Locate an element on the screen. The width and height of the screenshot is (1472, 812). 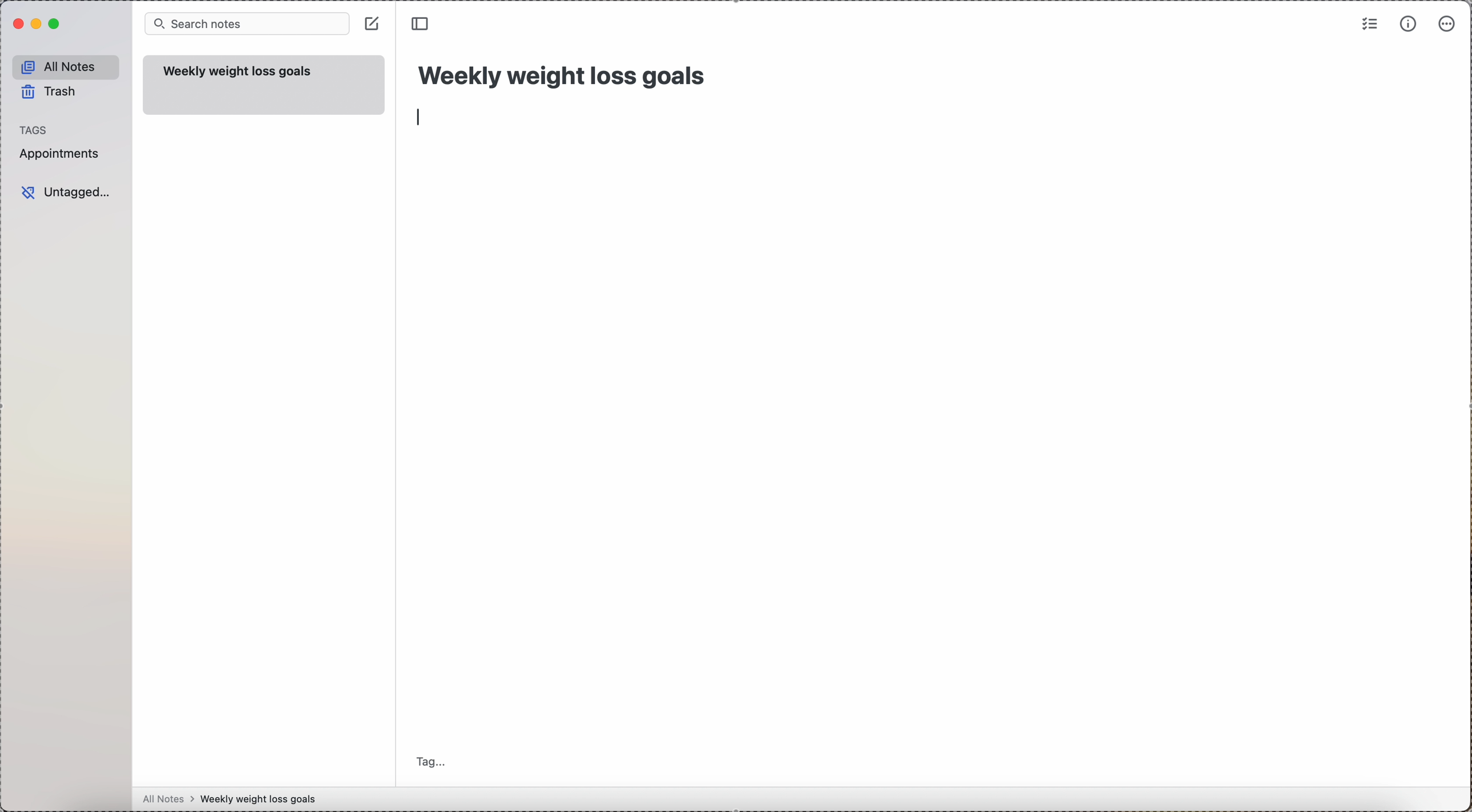
create note is located at coordinates (373, 23).